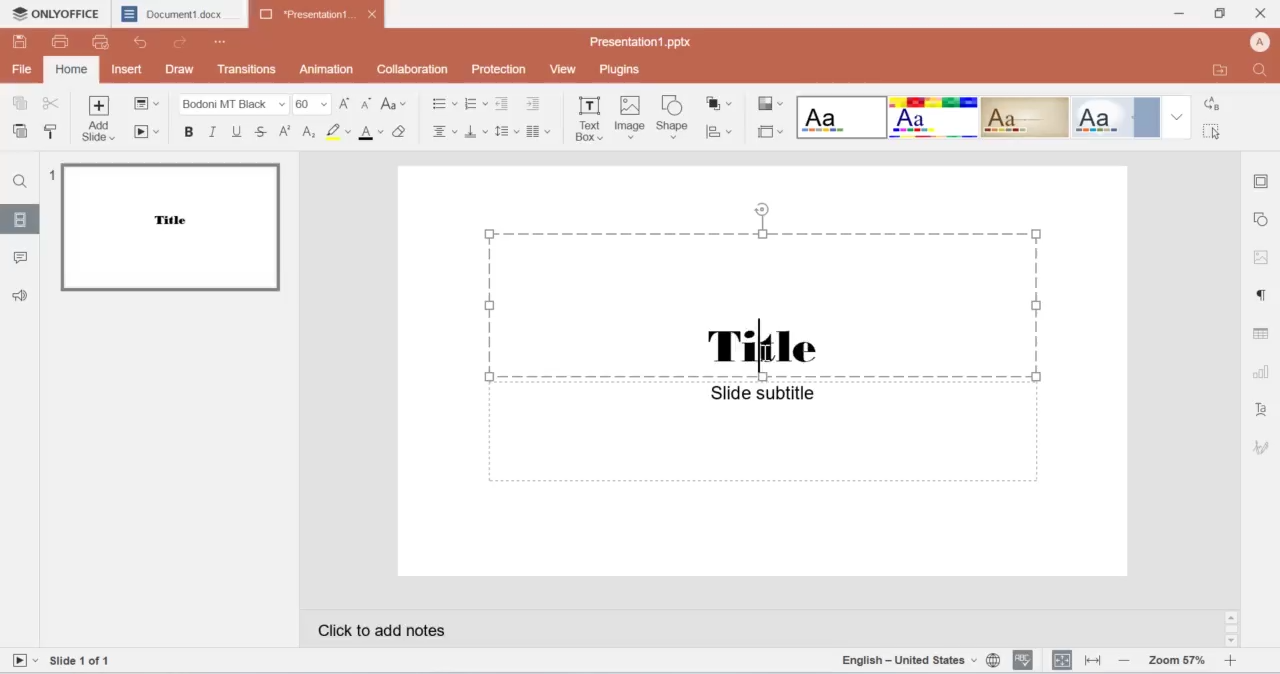  Describe the element at coordinates (366, 104) in the screenshot. I see `decrease font size` at that location.